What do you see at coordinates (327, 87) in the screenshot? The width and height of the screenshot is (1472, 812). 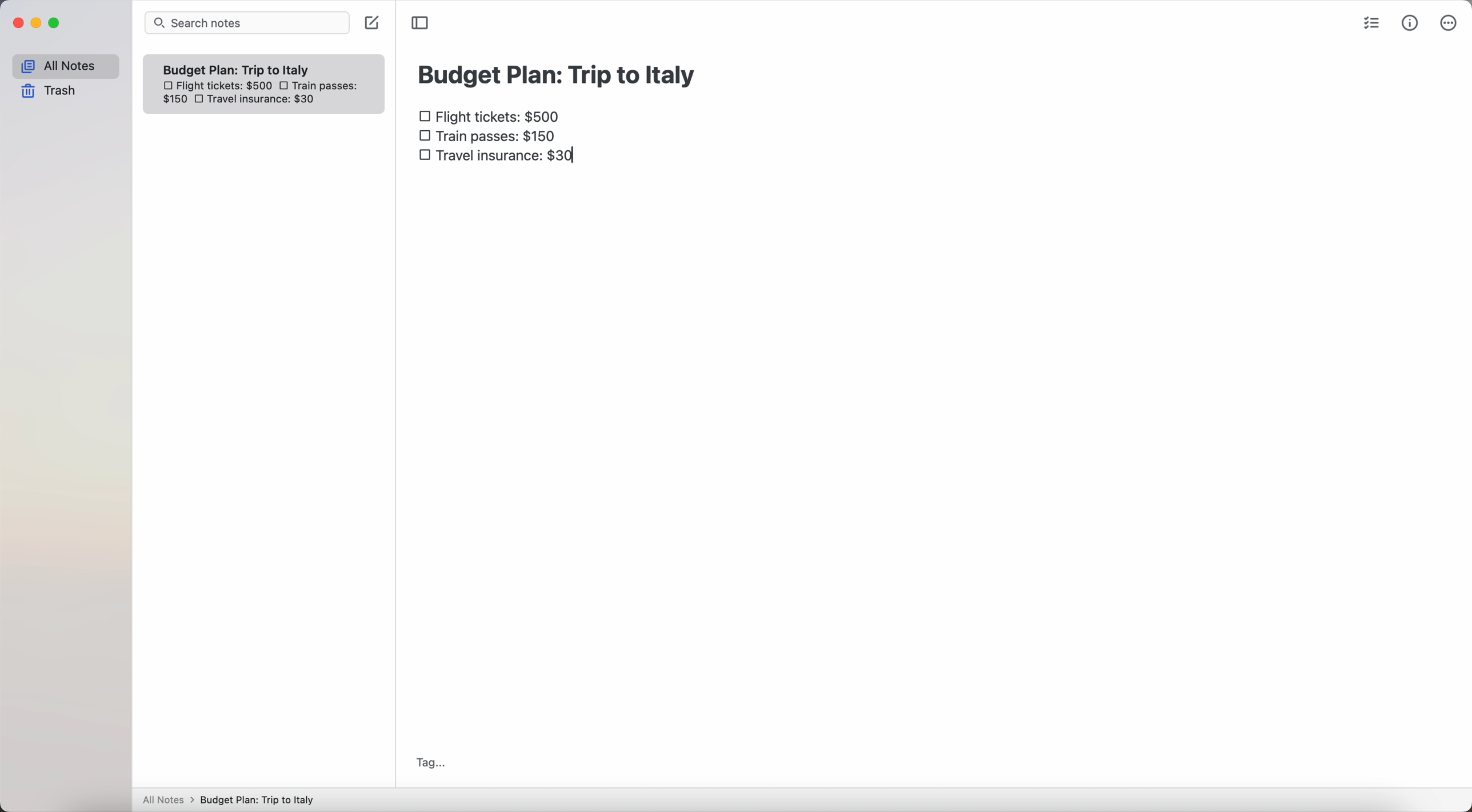 I see `train passes` at bounding box center [327, 87].